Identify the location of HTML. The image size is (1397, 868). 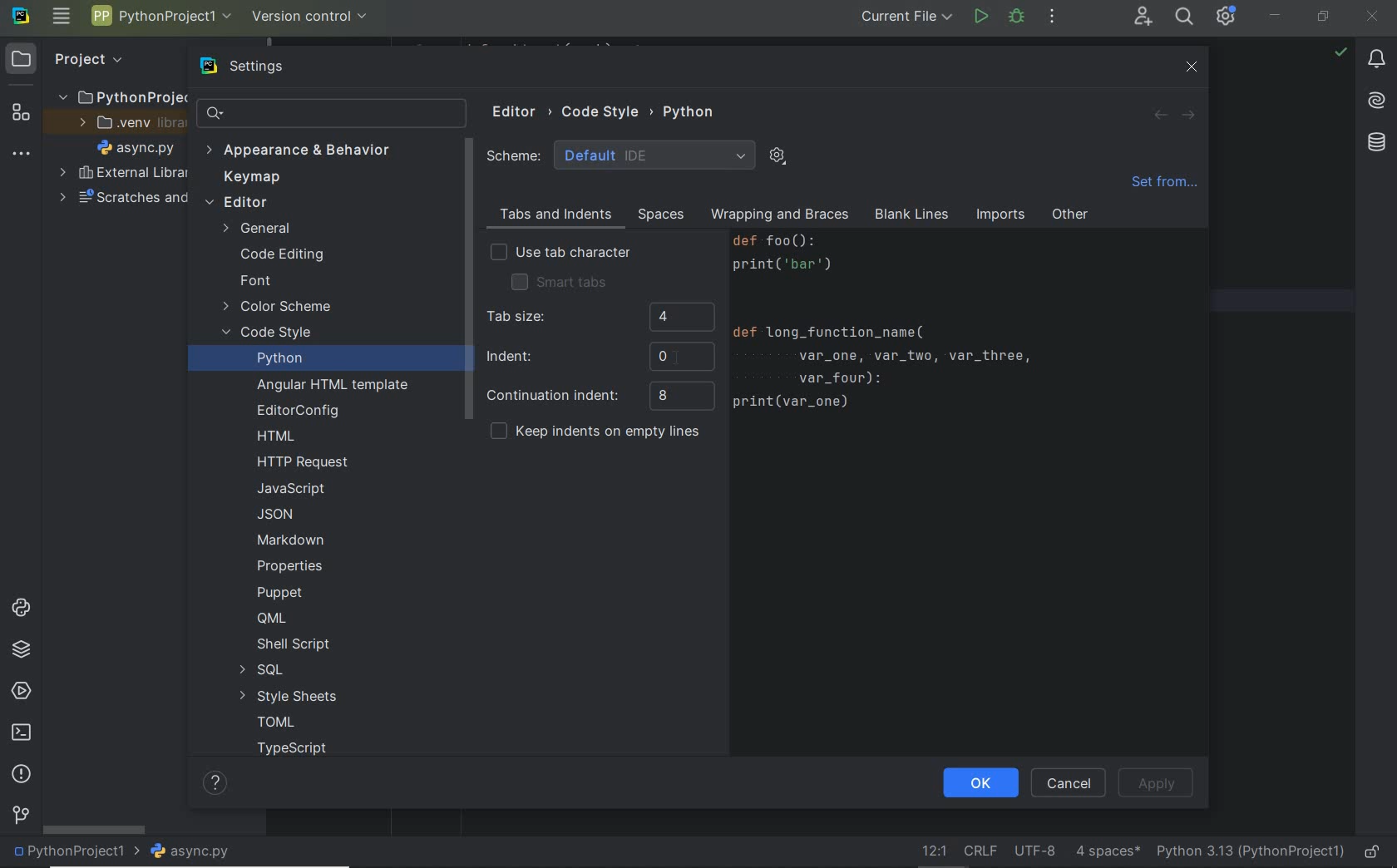
(277, 437).